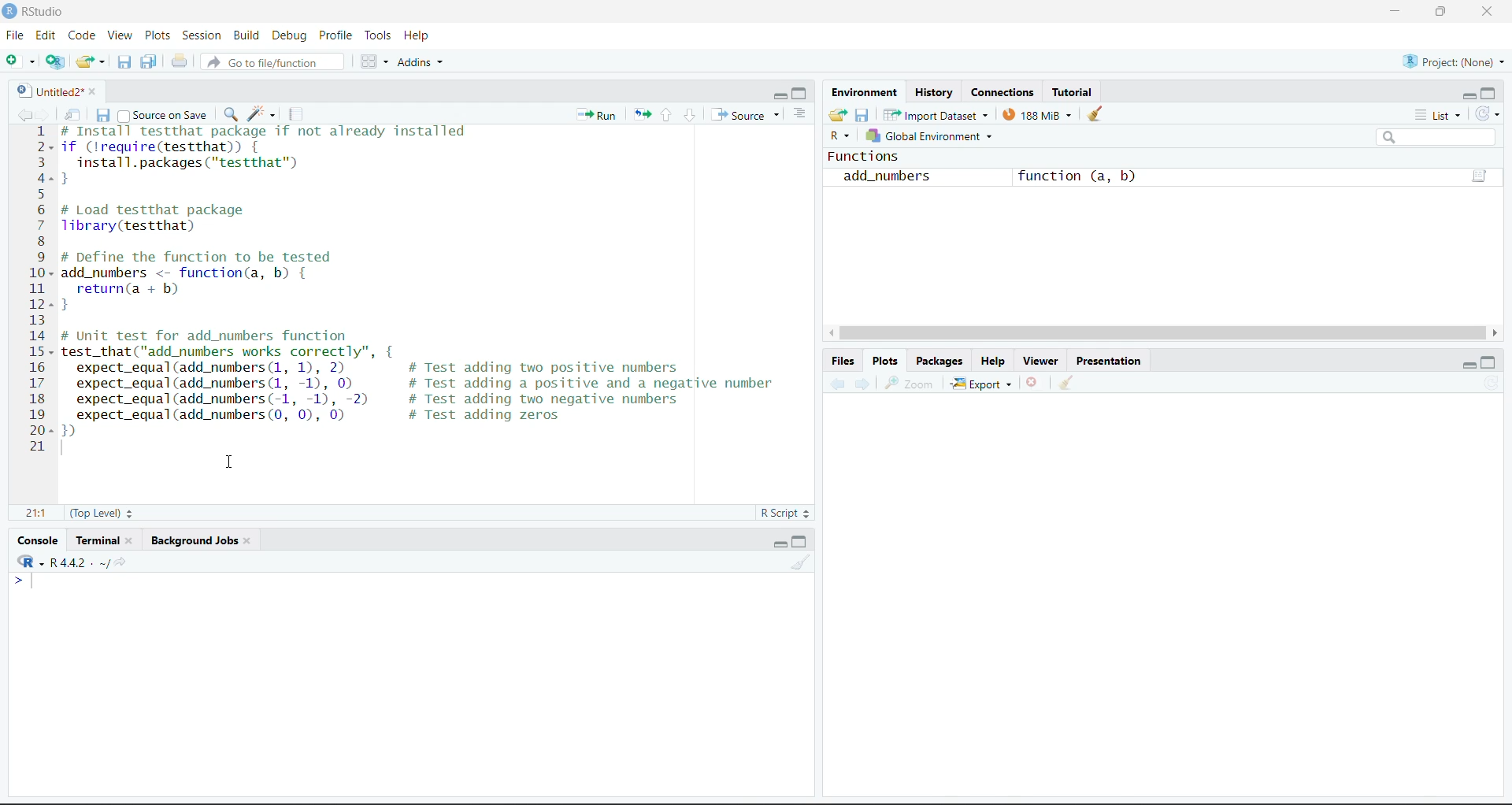  I want to click on Viewer, so click(1044, 361).